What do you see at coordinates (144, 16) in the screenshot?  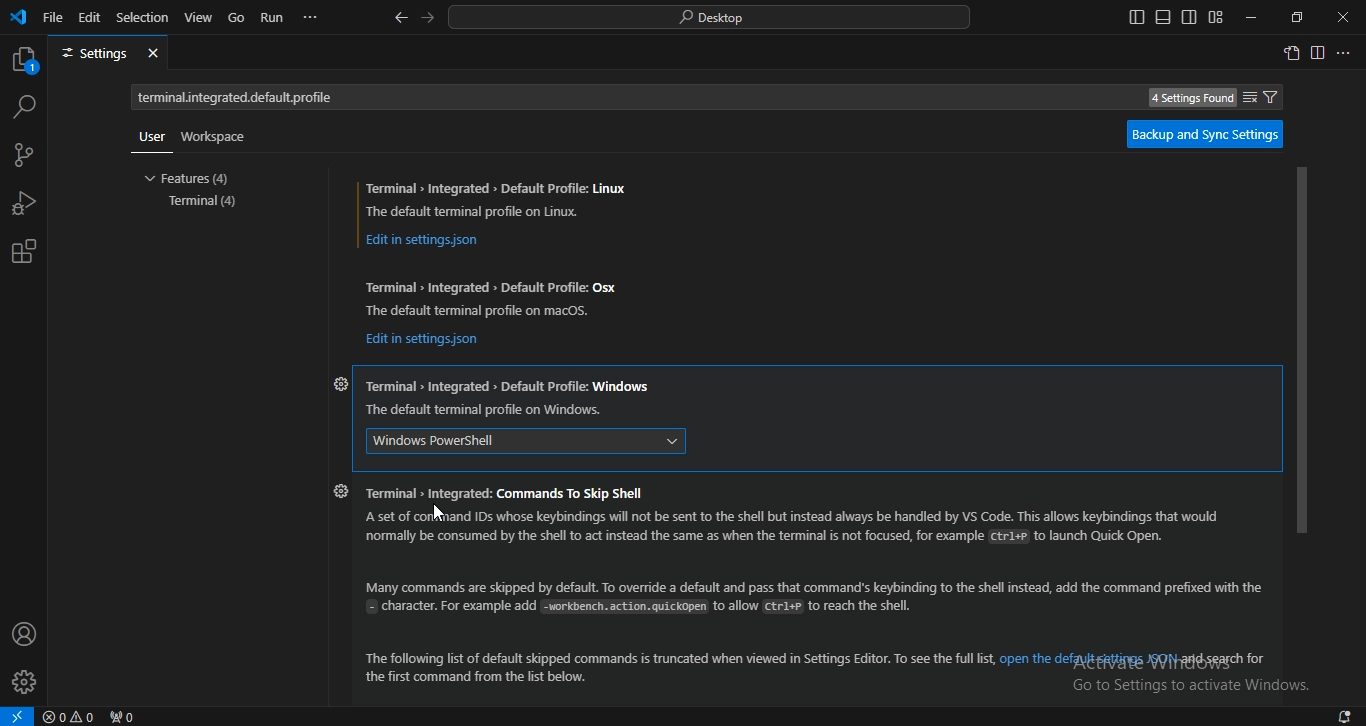 I see `selection` at bounding box center [144, 16].